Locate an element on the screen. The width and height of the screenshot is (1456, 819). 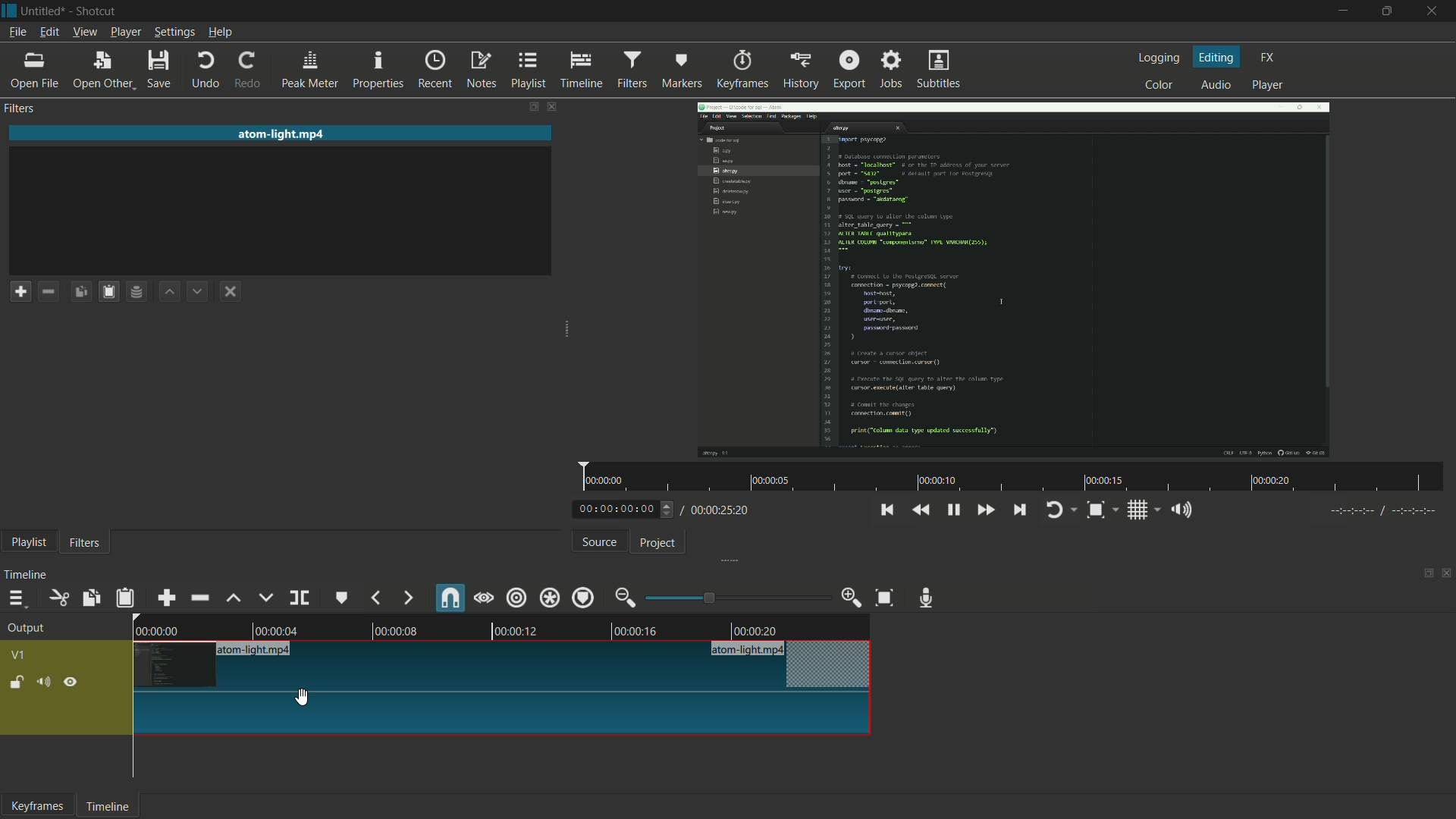
color is located at coordinates (1159, 85).